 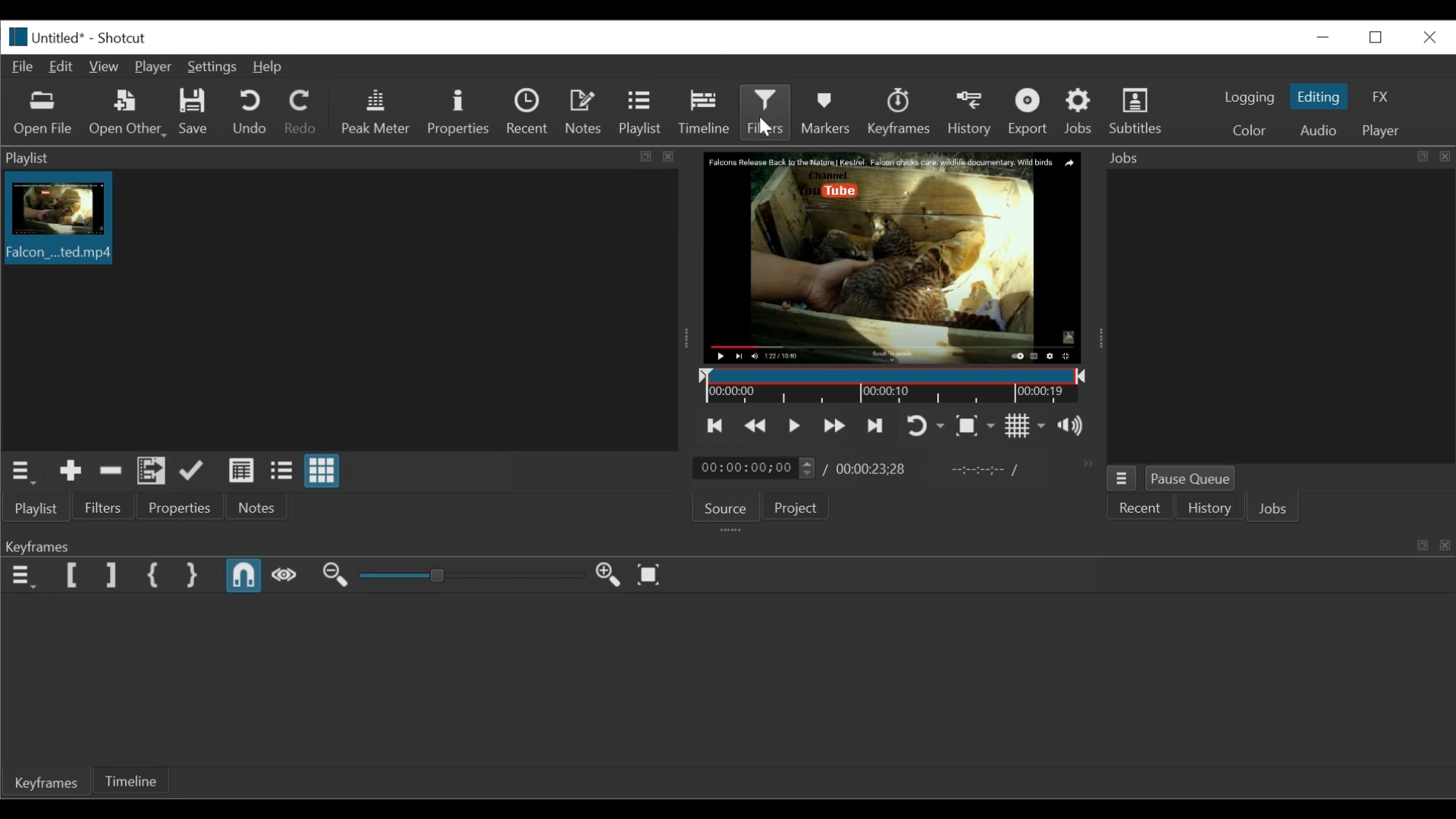 What do you see at coordinates (1075, 427) in the screenshot?
I see `Show the volume control` at bounding box center [1075, 427].